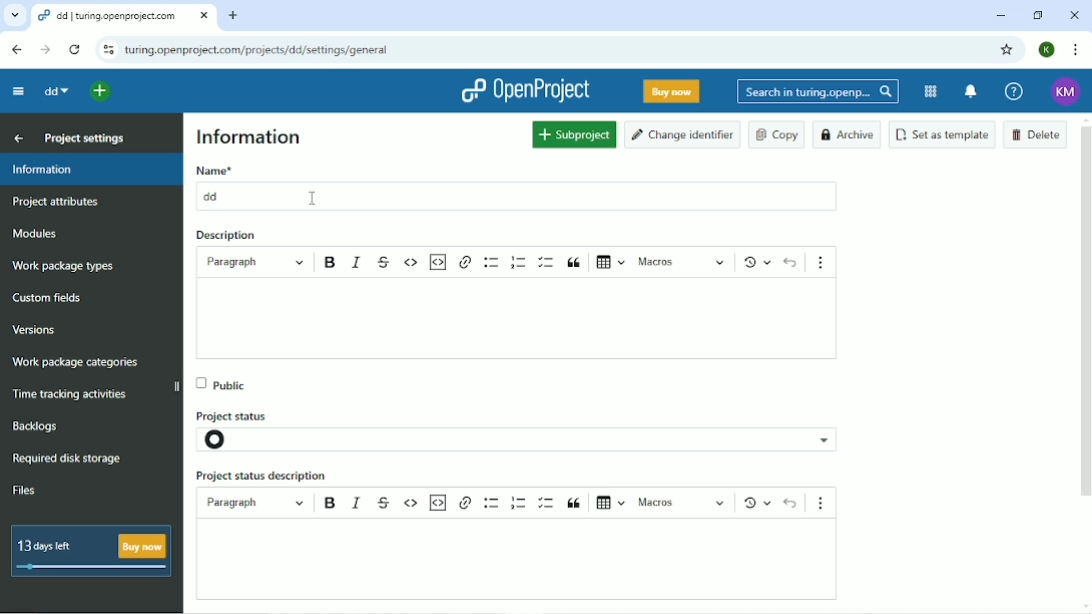  What do you see at coordinates (683, 502) in the screenshot?
I see `macros` at bounding box center [683, 502].